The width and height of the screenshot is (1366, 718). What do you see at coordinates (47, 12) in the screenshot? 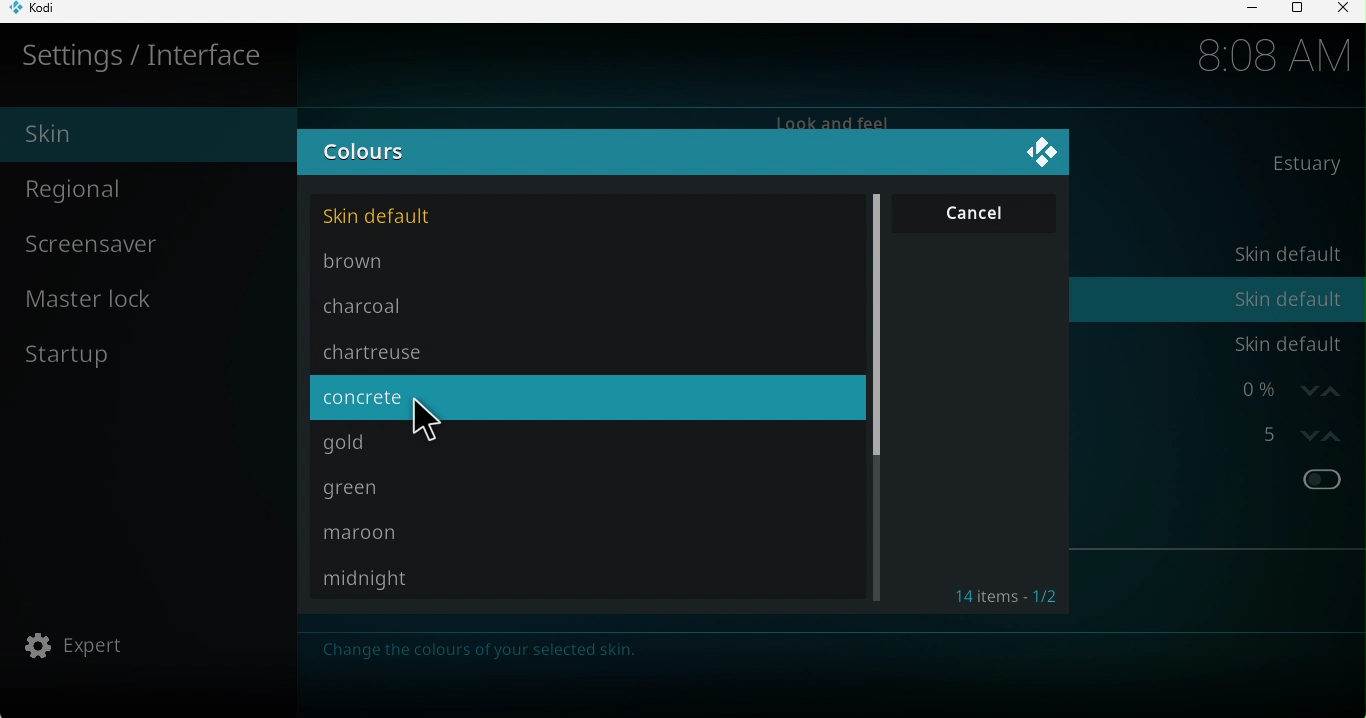
I see `KODI icon` at bounding box center [47, 12].